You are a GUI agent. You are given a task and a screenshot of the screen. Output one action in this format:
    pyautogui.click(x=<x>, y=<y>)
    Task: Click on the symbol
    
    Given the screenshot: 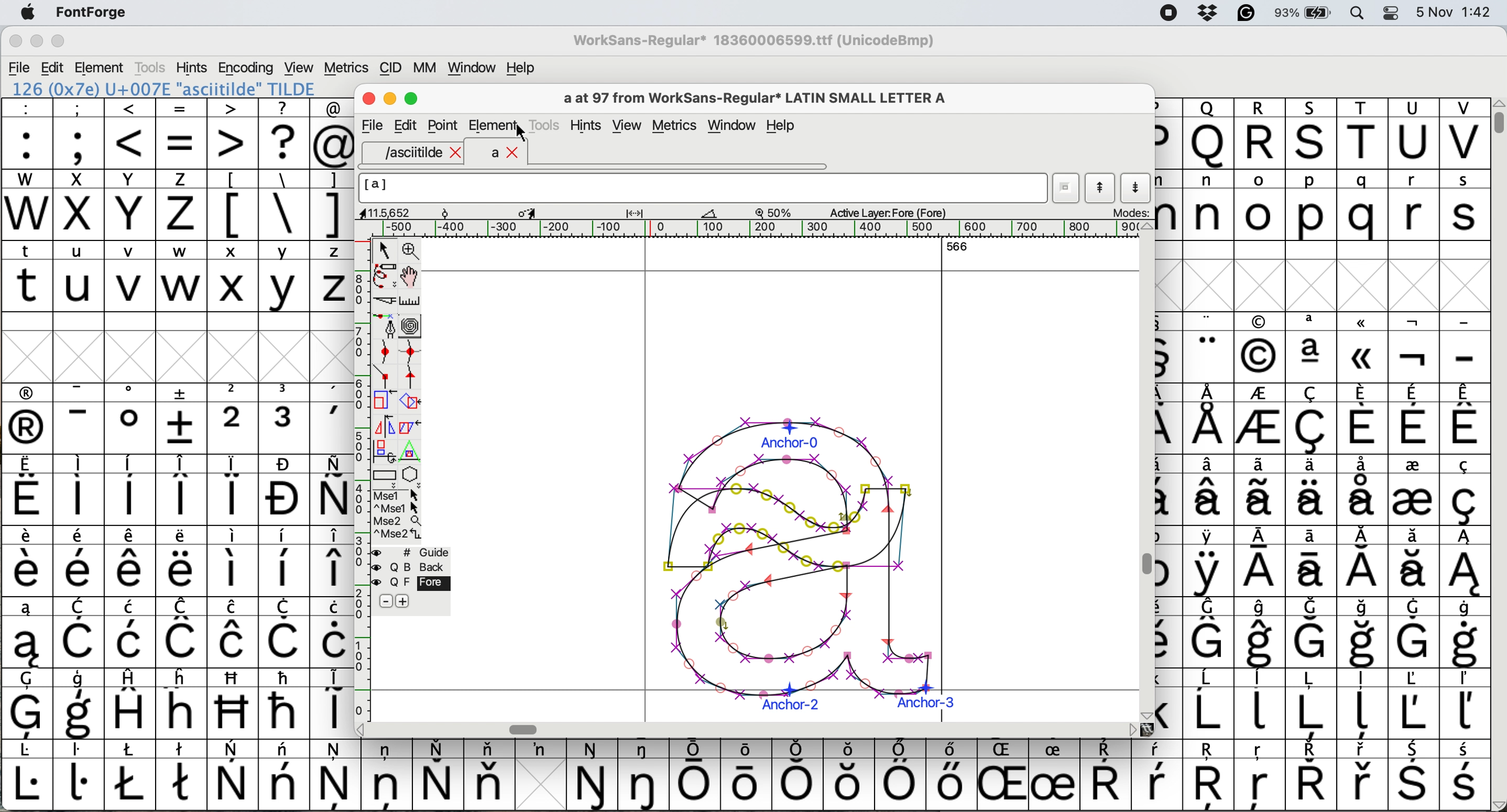 What is the action you would take?
    pyautogui.click(x=285, y=775)
    